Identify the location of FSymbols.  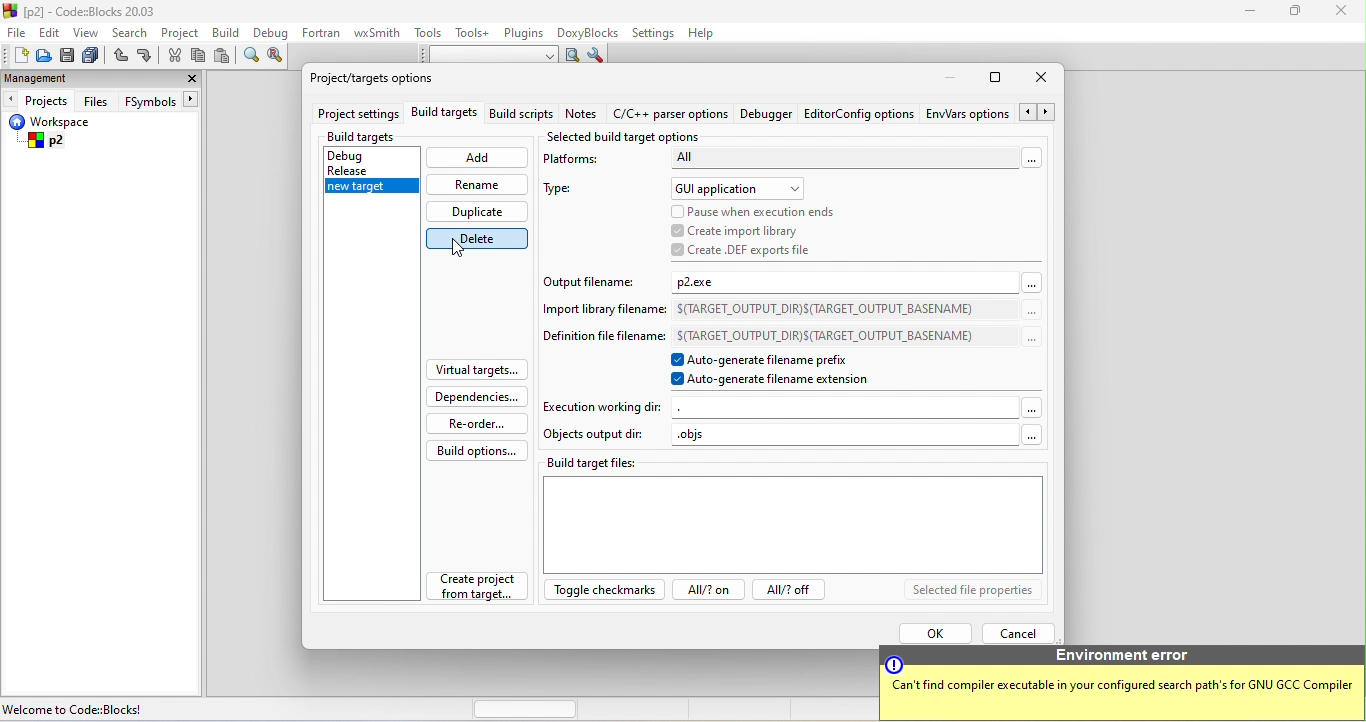
(163, 101).